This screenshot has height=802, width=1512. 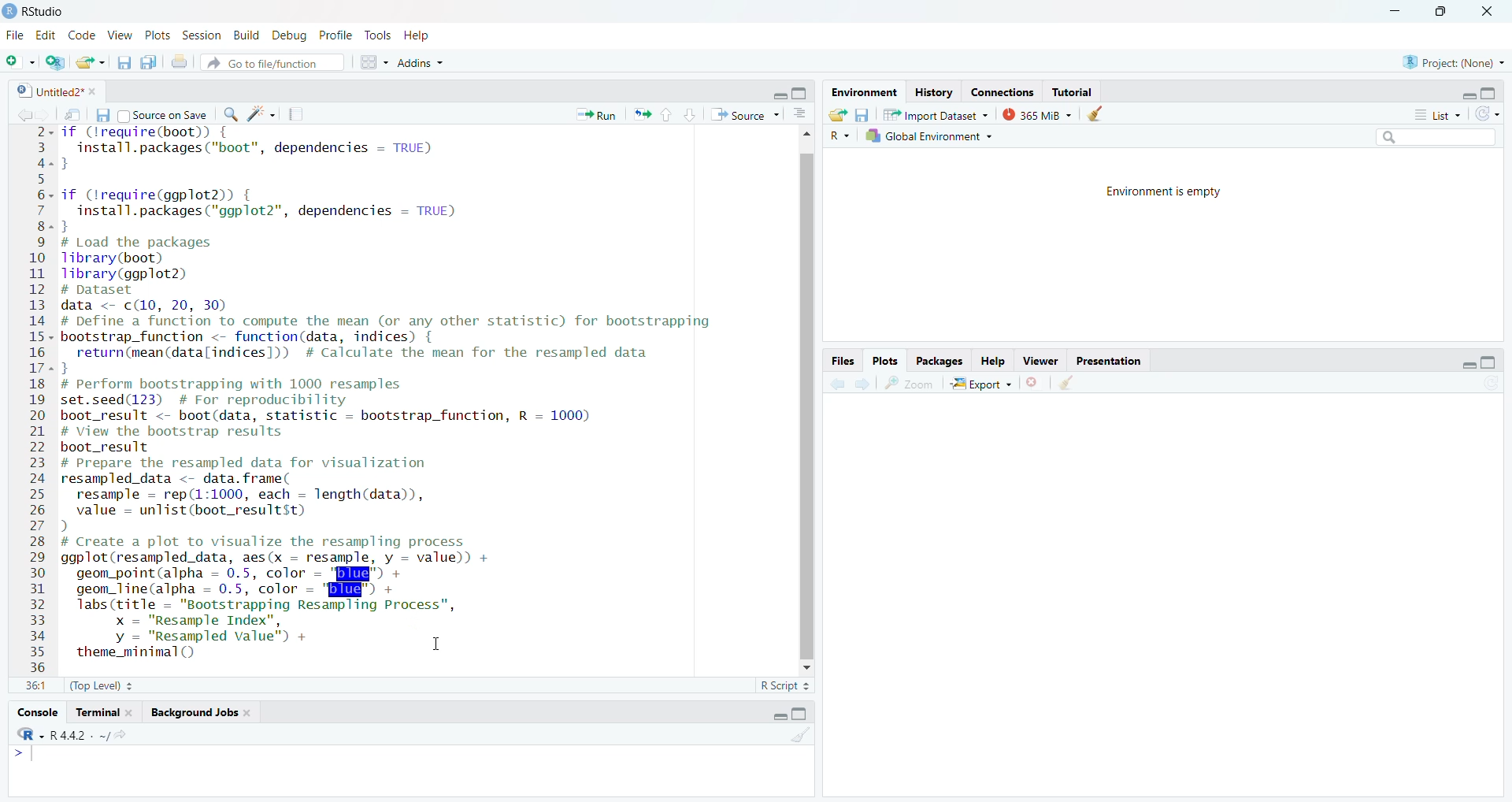 I want to click on clear console, so click(x=802, y=737).